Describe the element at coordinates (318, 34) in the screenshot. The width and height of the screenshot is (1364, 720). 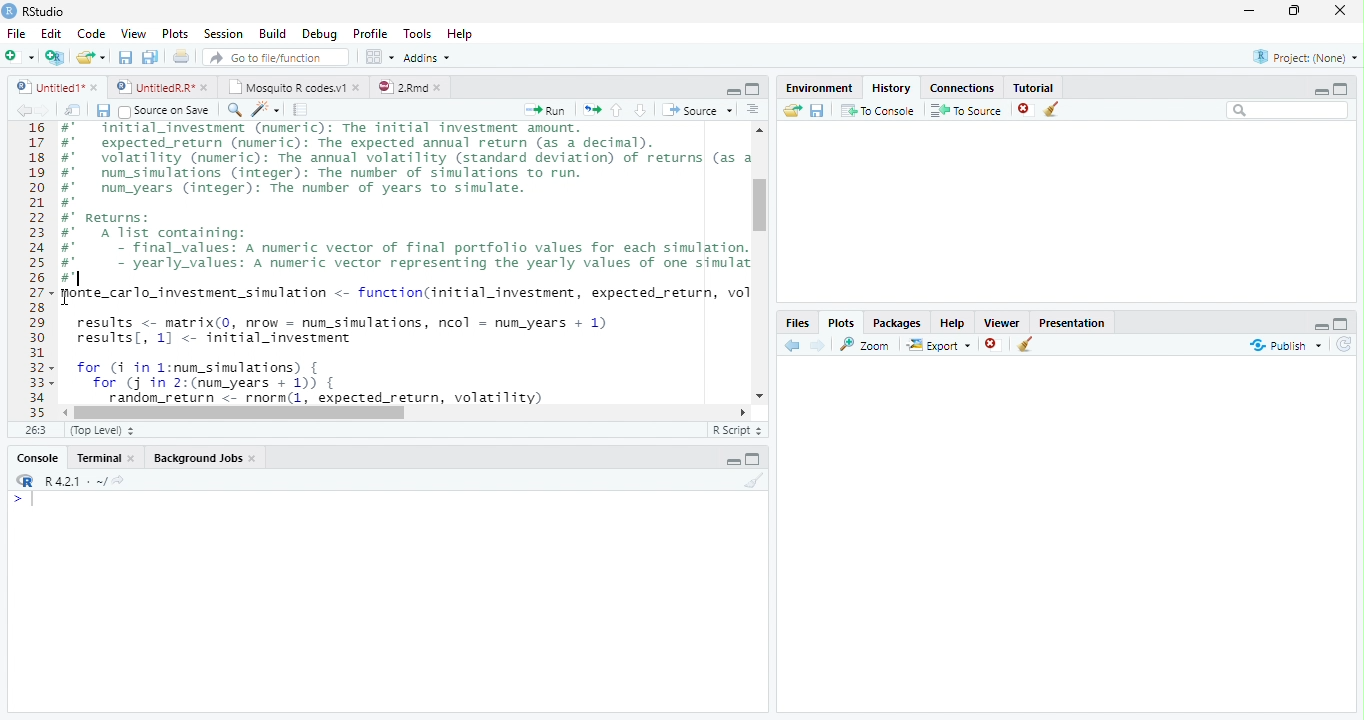
I see `Debug` at that location.